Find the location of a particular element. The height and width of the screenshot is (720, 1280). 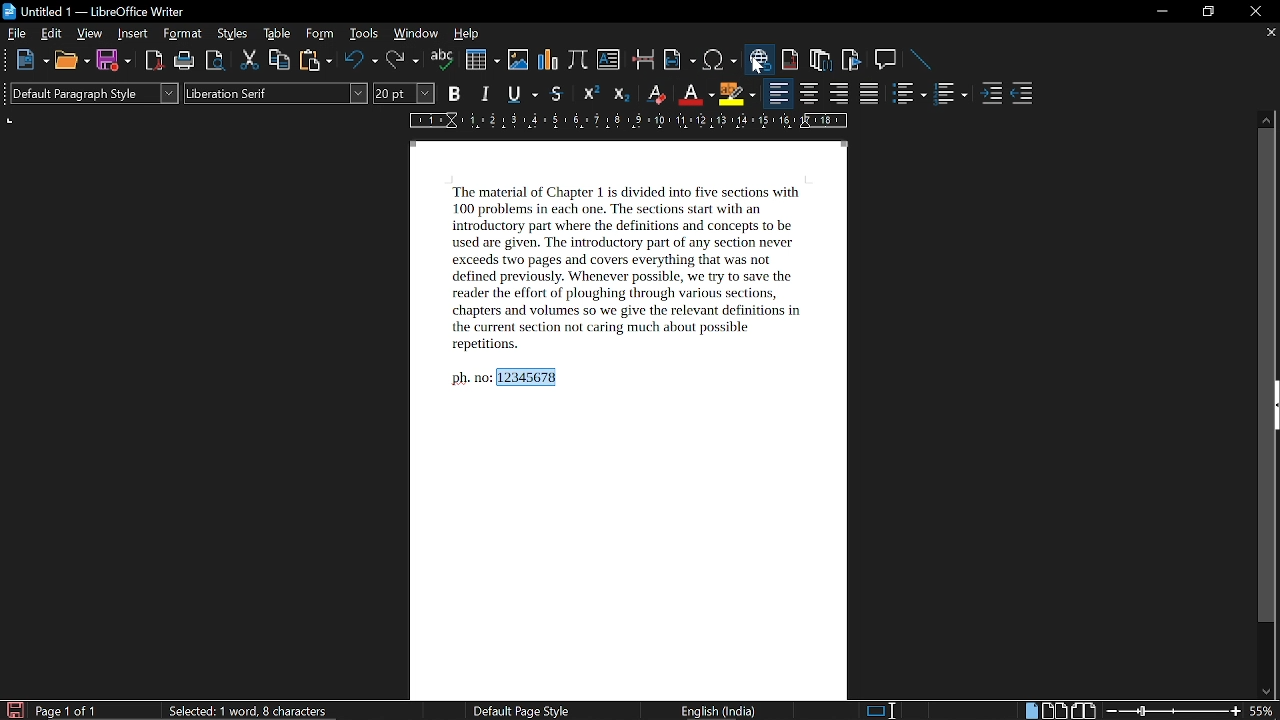

cursor is located at coordinates (758, 65).